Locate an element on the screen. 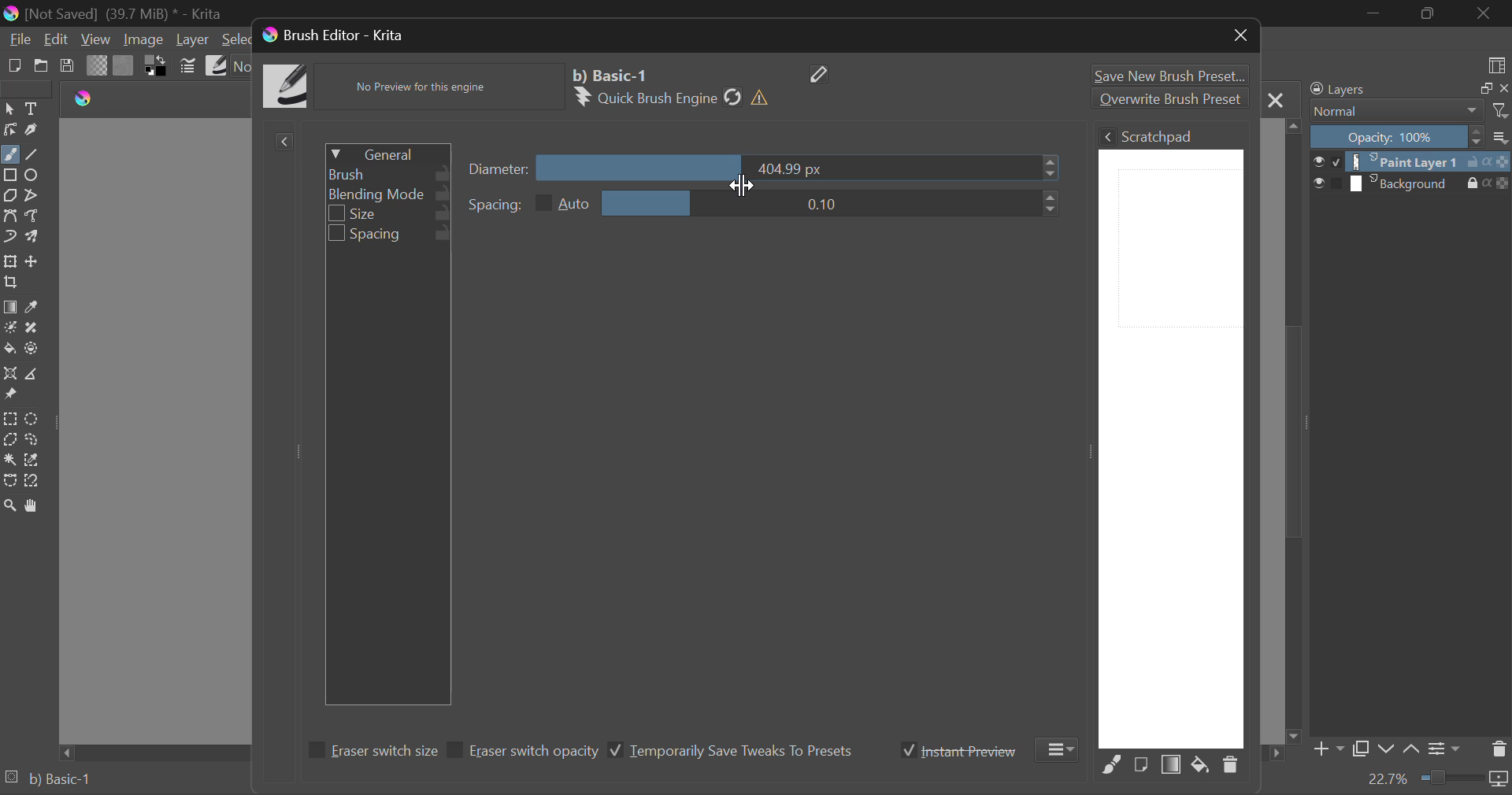  Brush Icon is located at coordinates (287, 87).